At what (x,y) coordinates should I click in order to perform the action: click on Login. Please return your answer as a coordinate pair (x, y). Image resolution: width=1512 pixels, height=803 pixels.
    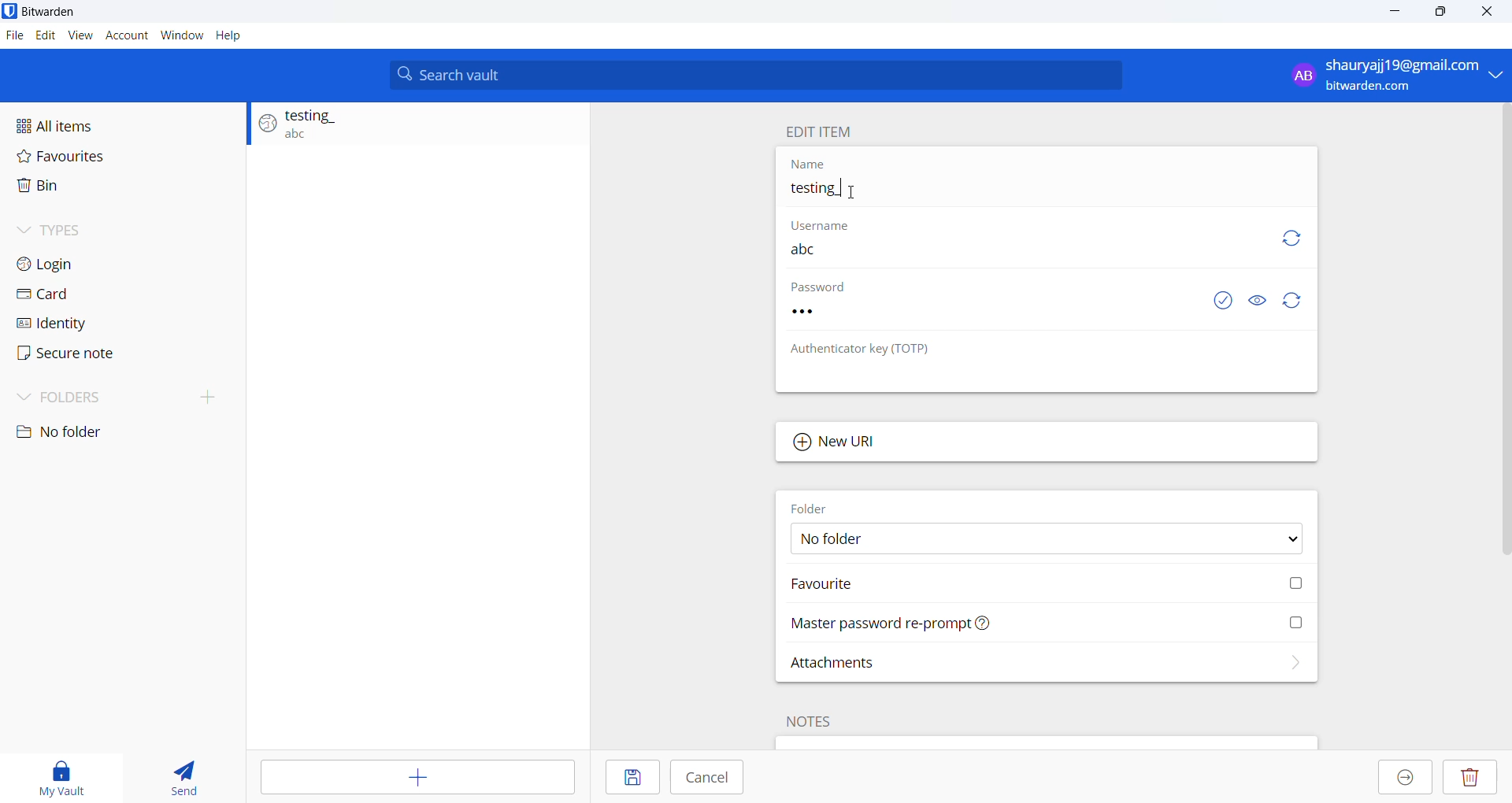
    Looking at the image, I should click on (112, 265).